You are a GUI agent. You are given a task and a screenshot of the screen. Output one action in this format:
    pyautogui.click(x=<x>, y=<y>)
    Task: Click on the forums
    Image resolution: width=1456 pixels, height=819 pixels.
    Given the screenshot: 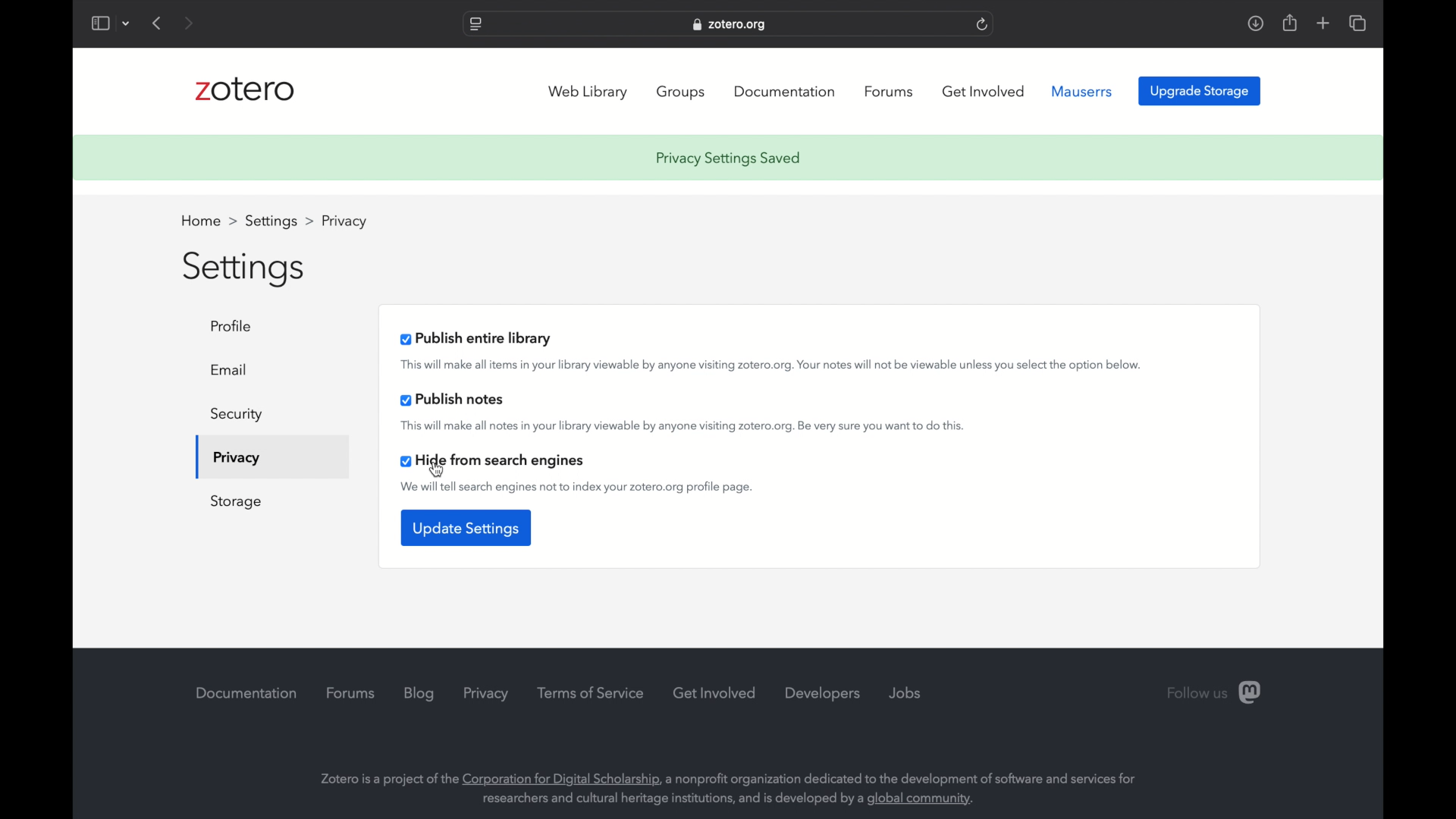 What is the action you would take?
    pyautogui.click(x=889, y=92)
    